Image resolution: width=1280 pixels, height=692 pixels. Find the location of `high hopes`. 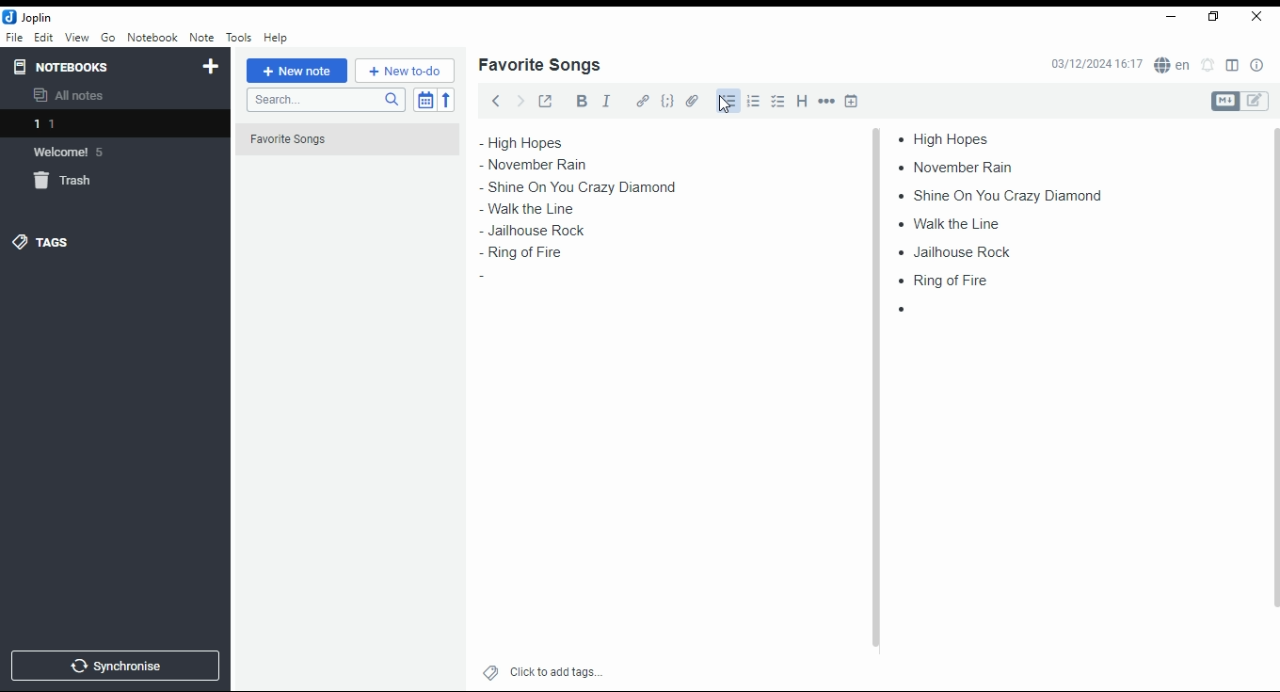

high hopes is located at coordinates (953, 139).